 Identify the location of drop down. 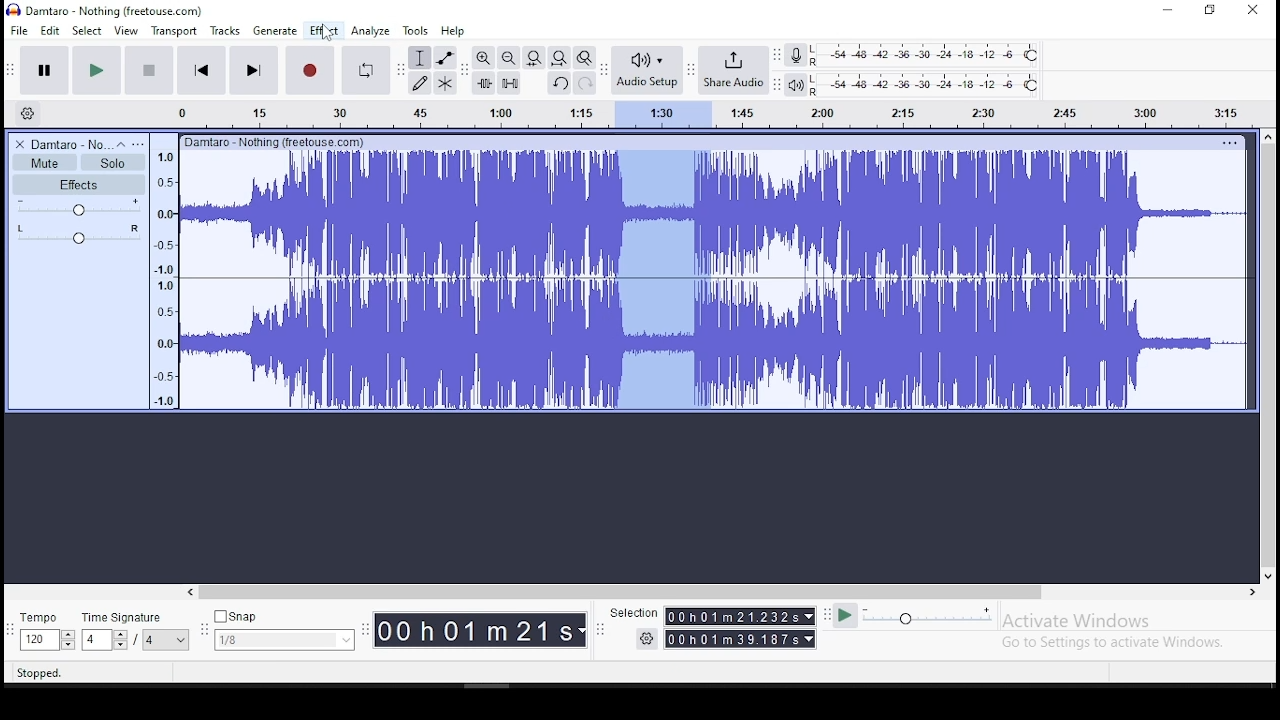
(807, 616).